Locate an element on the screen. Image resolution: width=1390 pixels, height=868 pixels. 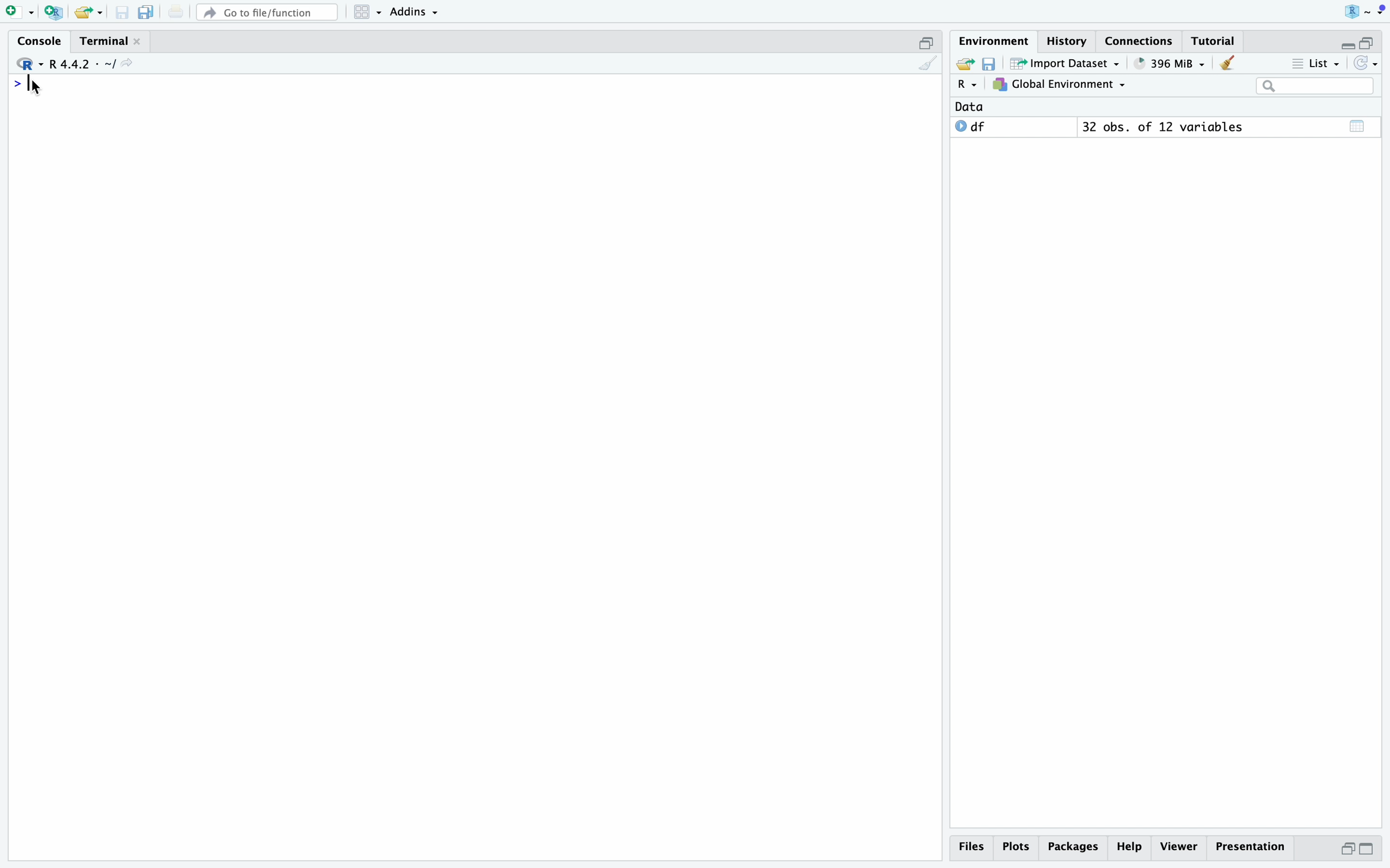
table view is located at coordinates (1357, 126).